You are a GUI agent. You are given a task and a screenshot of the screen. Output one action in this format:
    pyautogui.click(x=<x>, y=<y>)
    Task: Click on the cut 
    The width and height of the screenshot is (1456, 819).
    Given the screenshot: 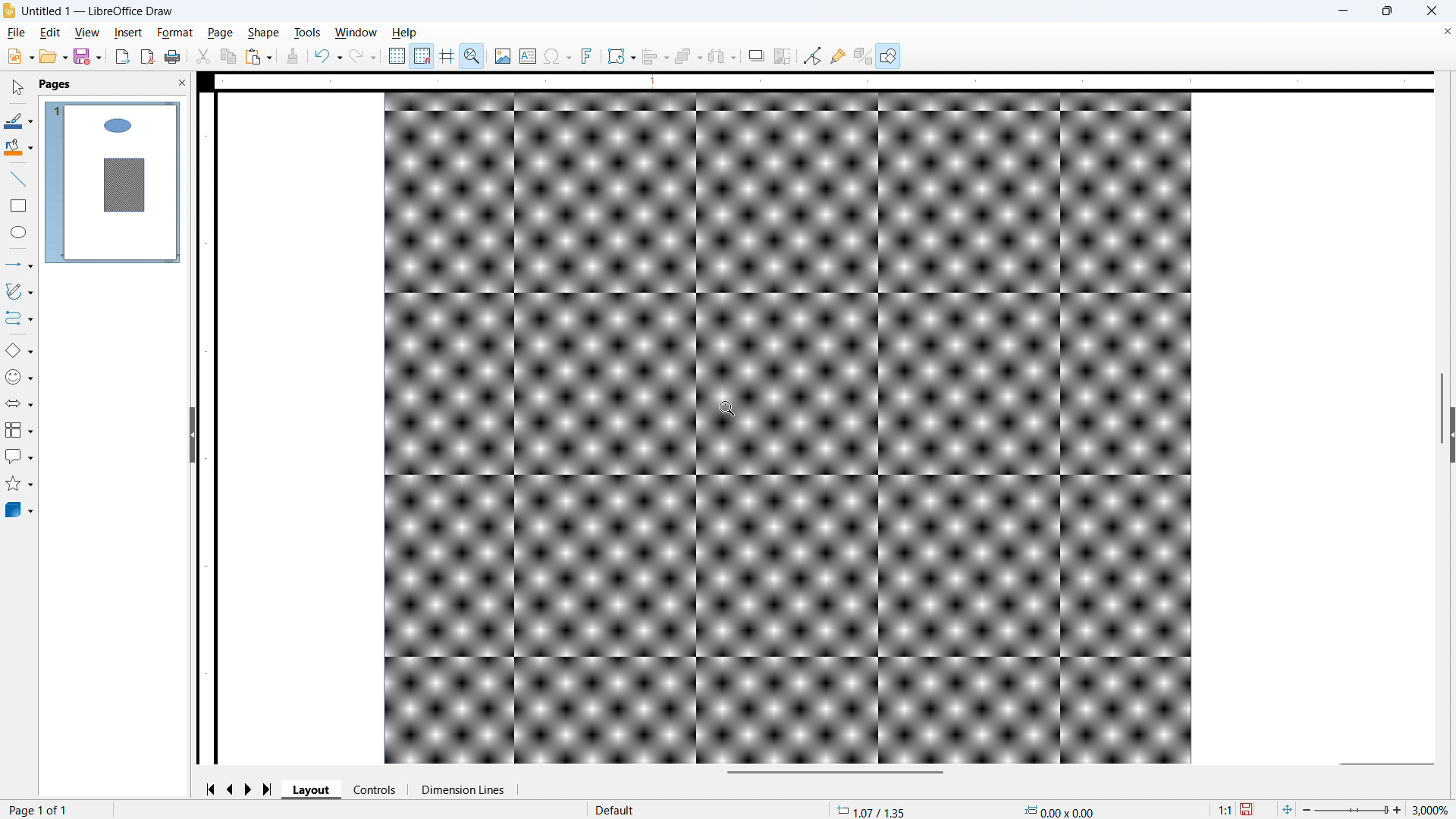 What is the action you would take?
    pyautogui.click(x=204, y=56)
    